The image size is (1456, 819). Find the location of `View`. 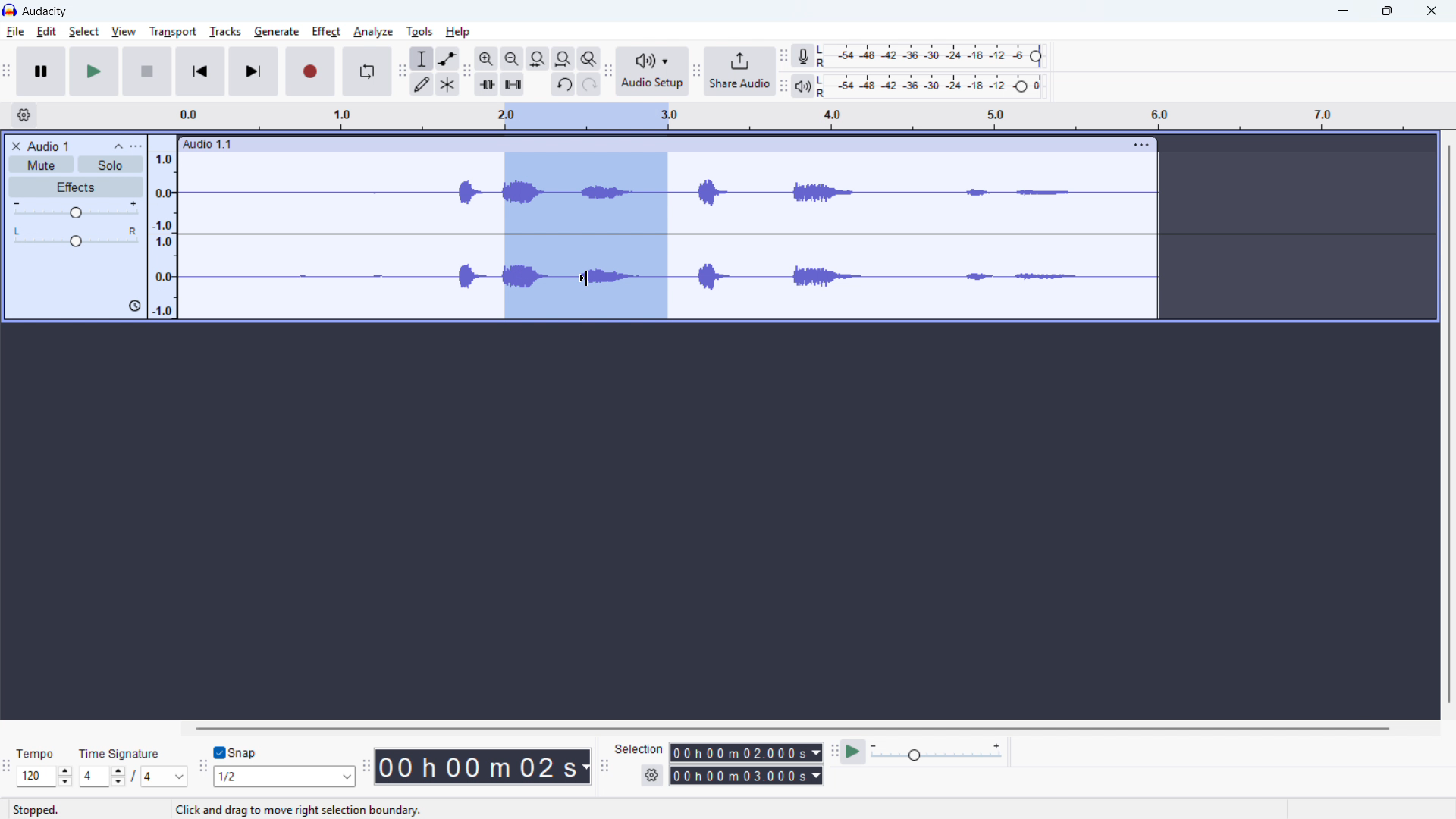

View is located at coordinates (123, 32).